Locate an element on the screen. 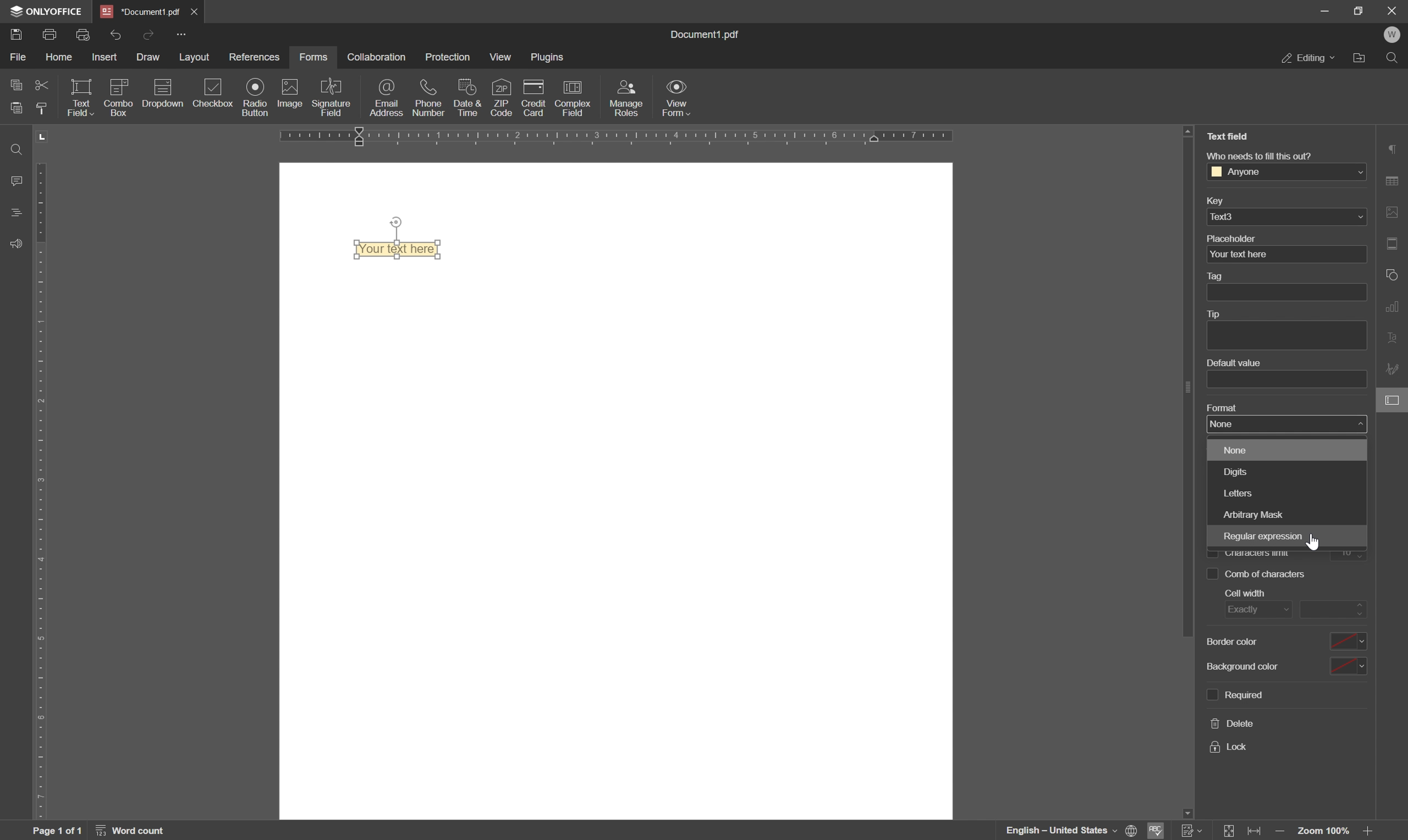  letters is located at coordinates (1238, 494).